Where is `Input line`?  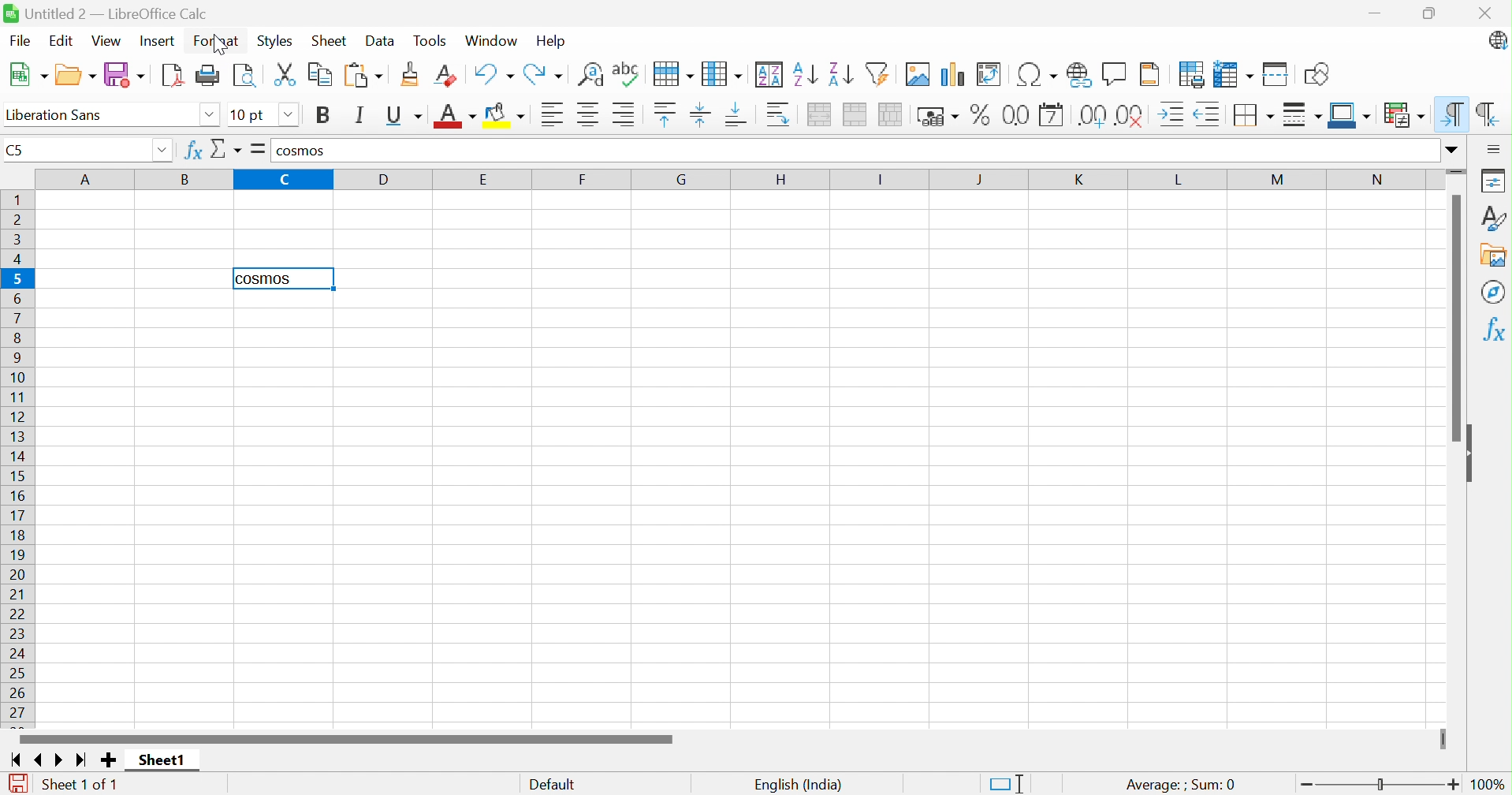 Input line is located at coordinates (855, 151).